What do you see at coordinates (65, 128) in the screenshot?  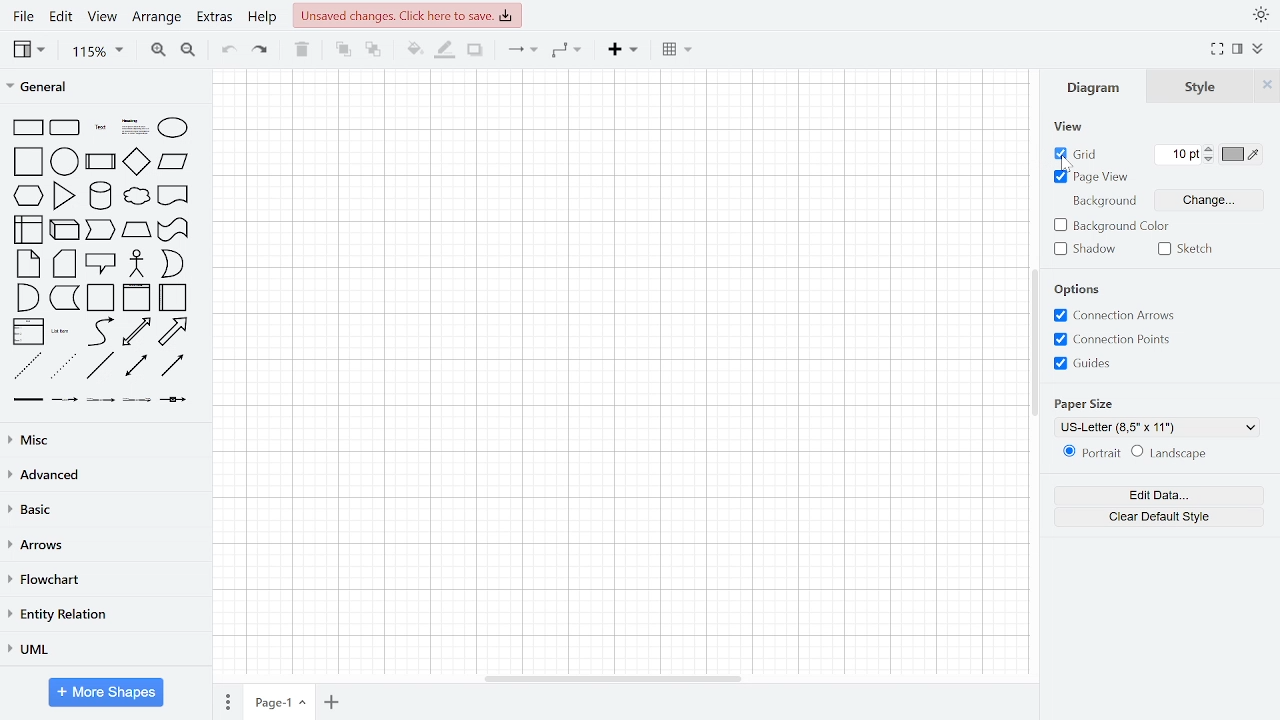 I see `rounded rectangle` at bounding box center [65, 128].